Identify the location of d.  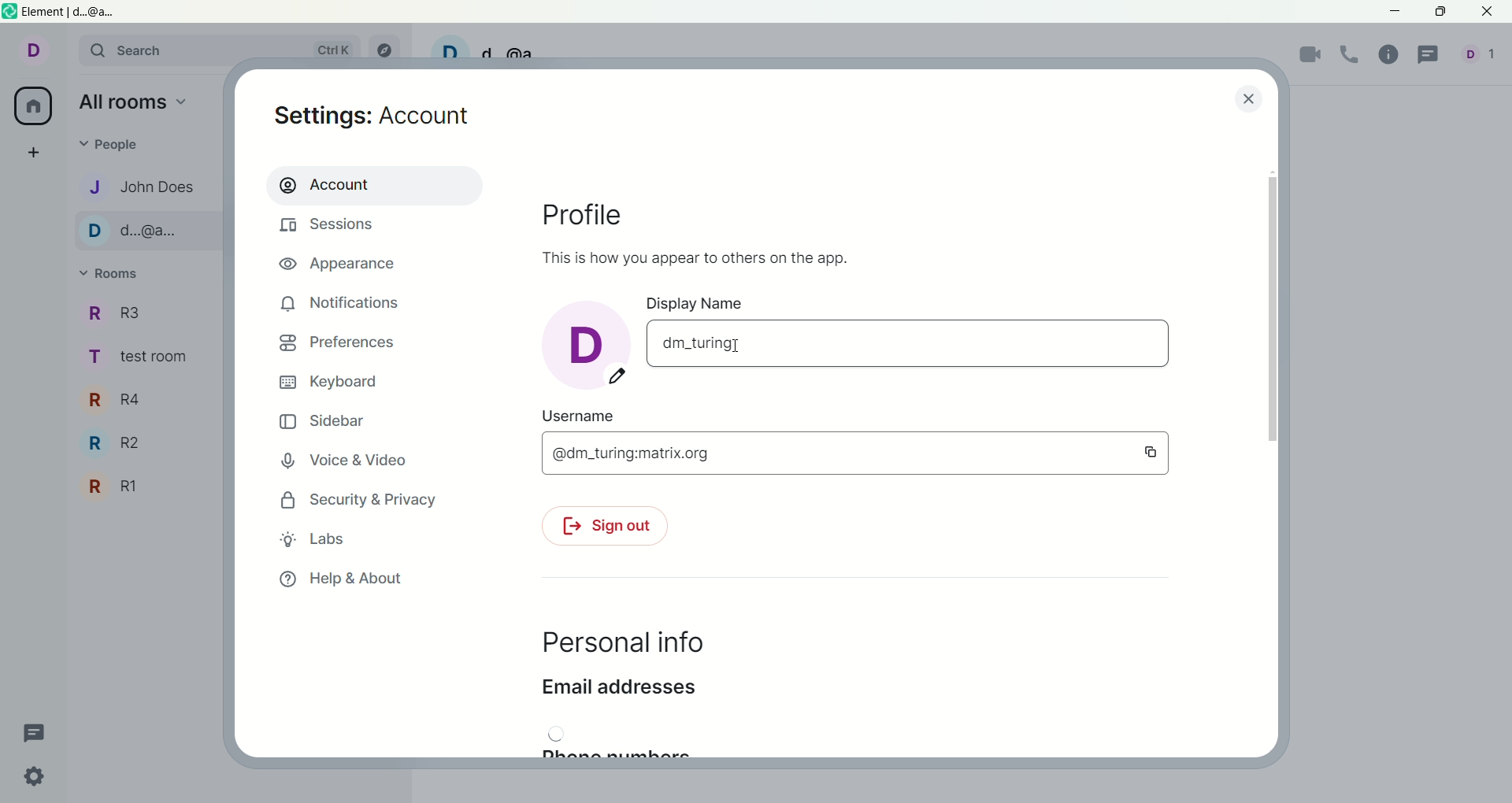
(585, 342).